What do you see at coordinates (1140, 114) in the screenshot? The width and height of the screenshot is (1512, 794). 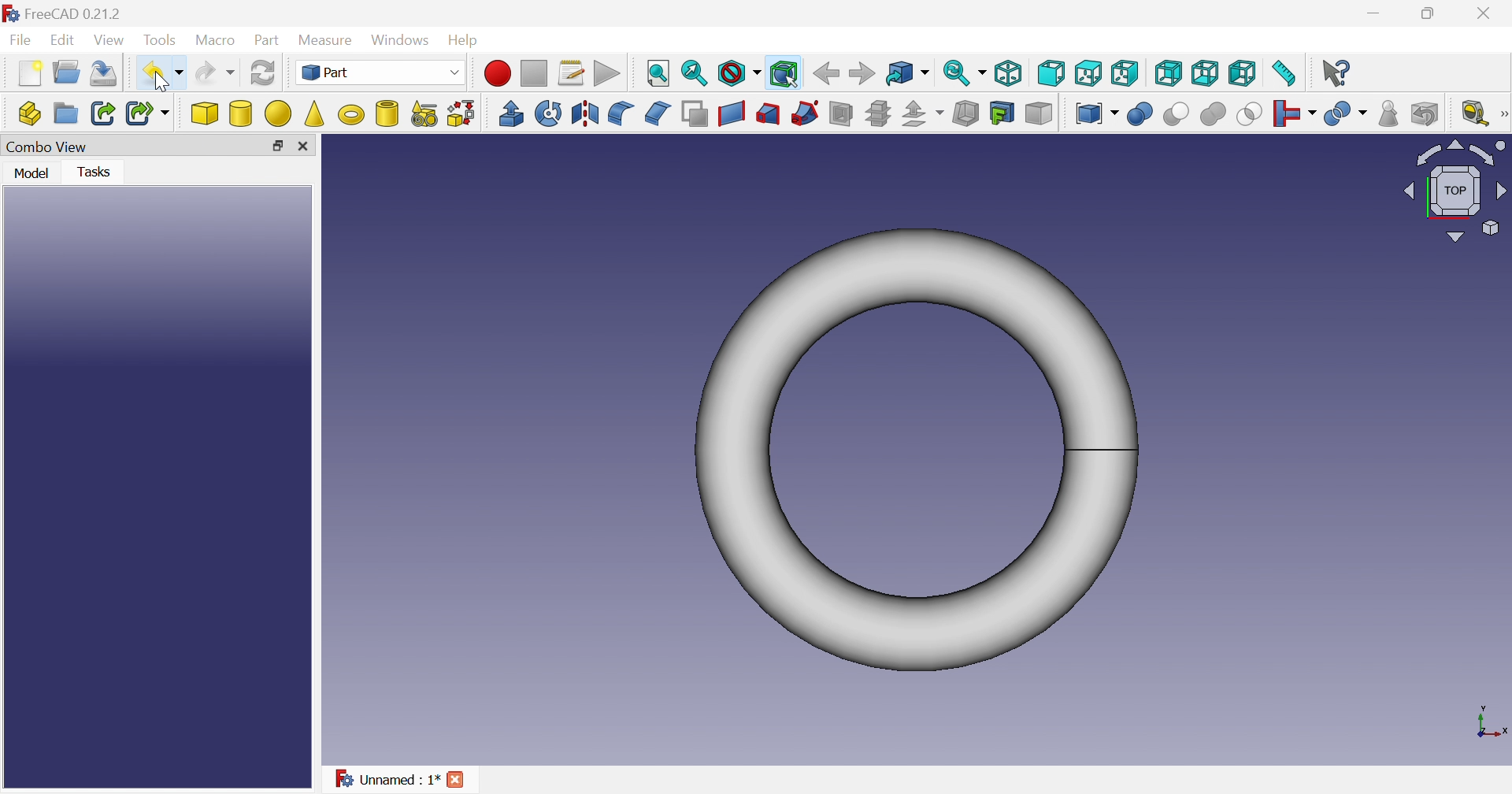 I see `Boolean...` at bounding box center [1140, 114].